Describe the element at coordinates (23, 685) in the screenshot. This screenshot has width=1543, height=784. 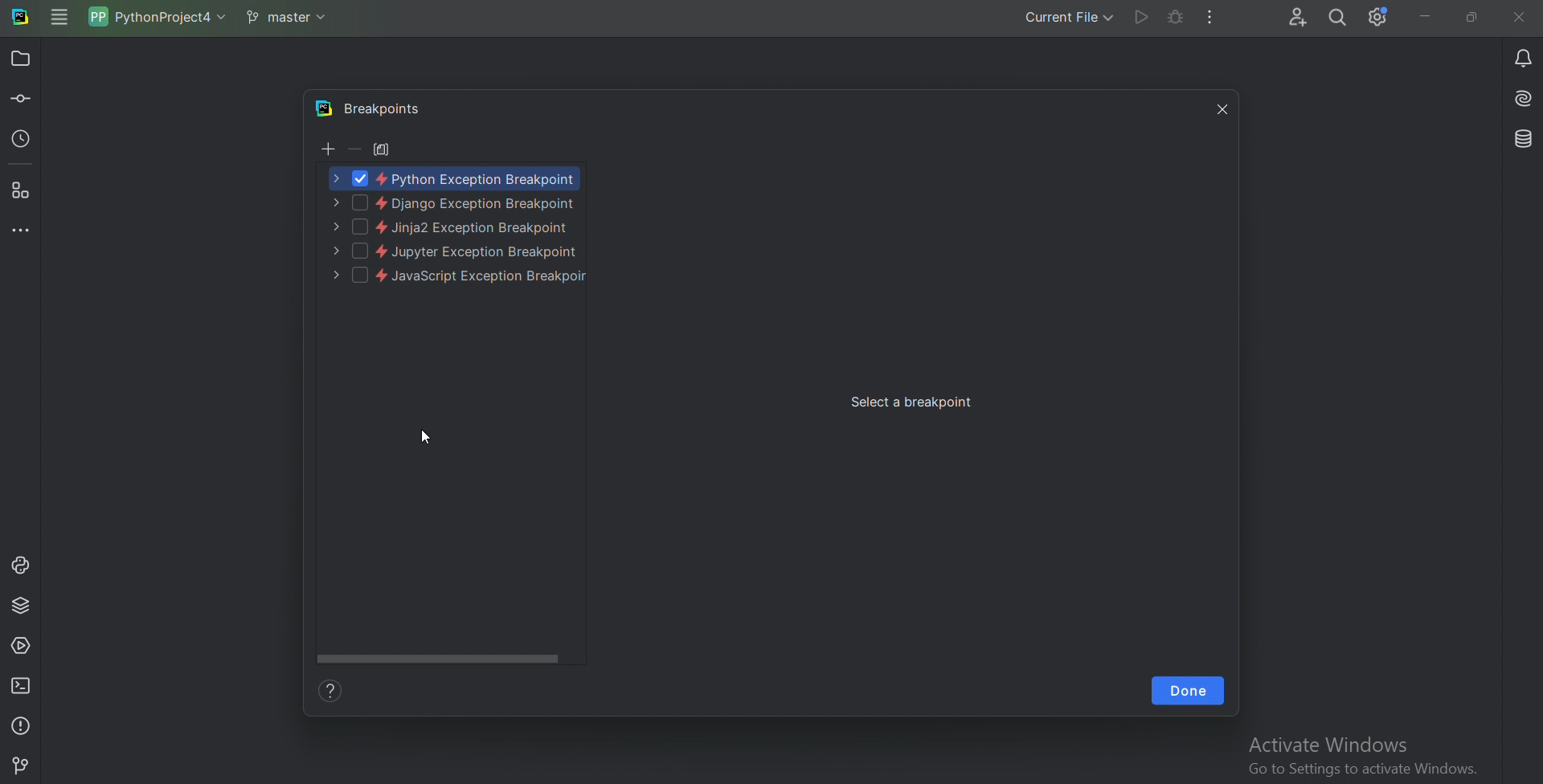
I see `Terminal` at that location.